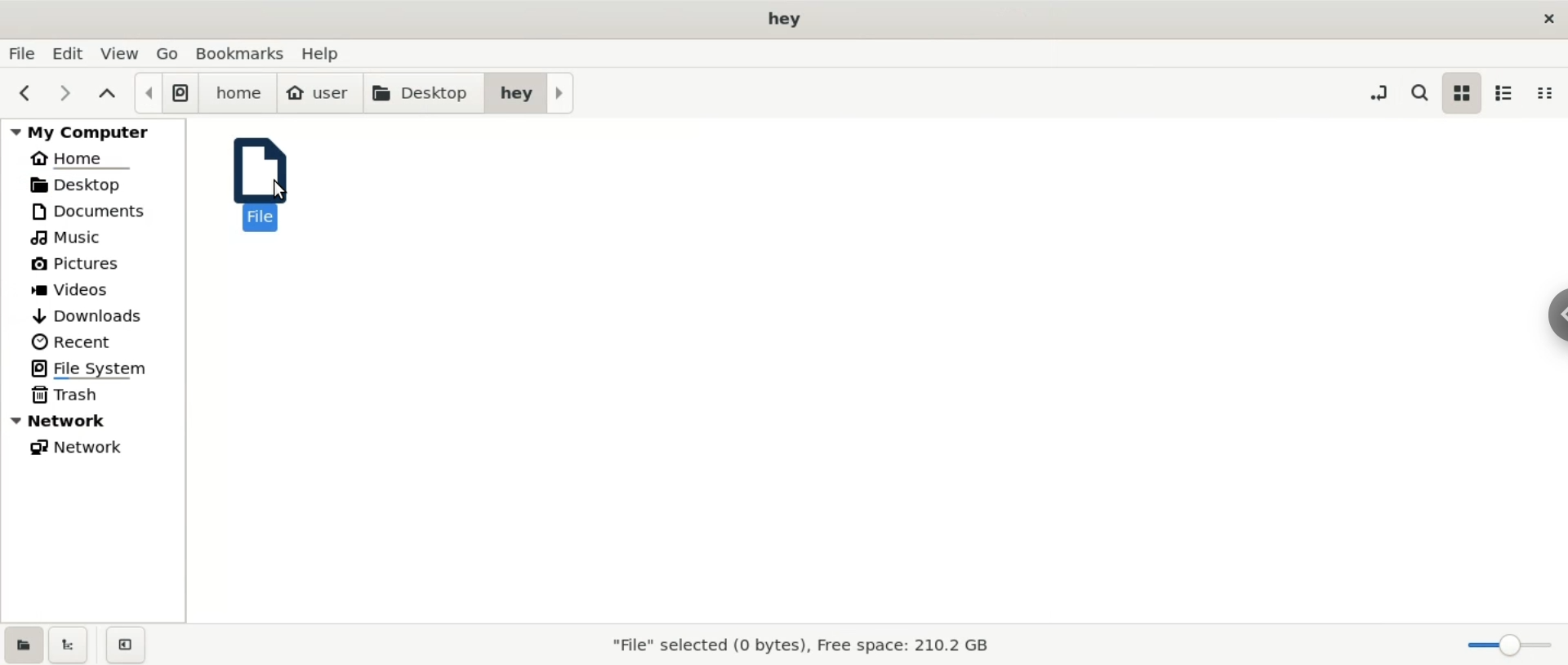 This screenshot has width=1568, height=665. I want to click on zoom, so click(1510, 646).